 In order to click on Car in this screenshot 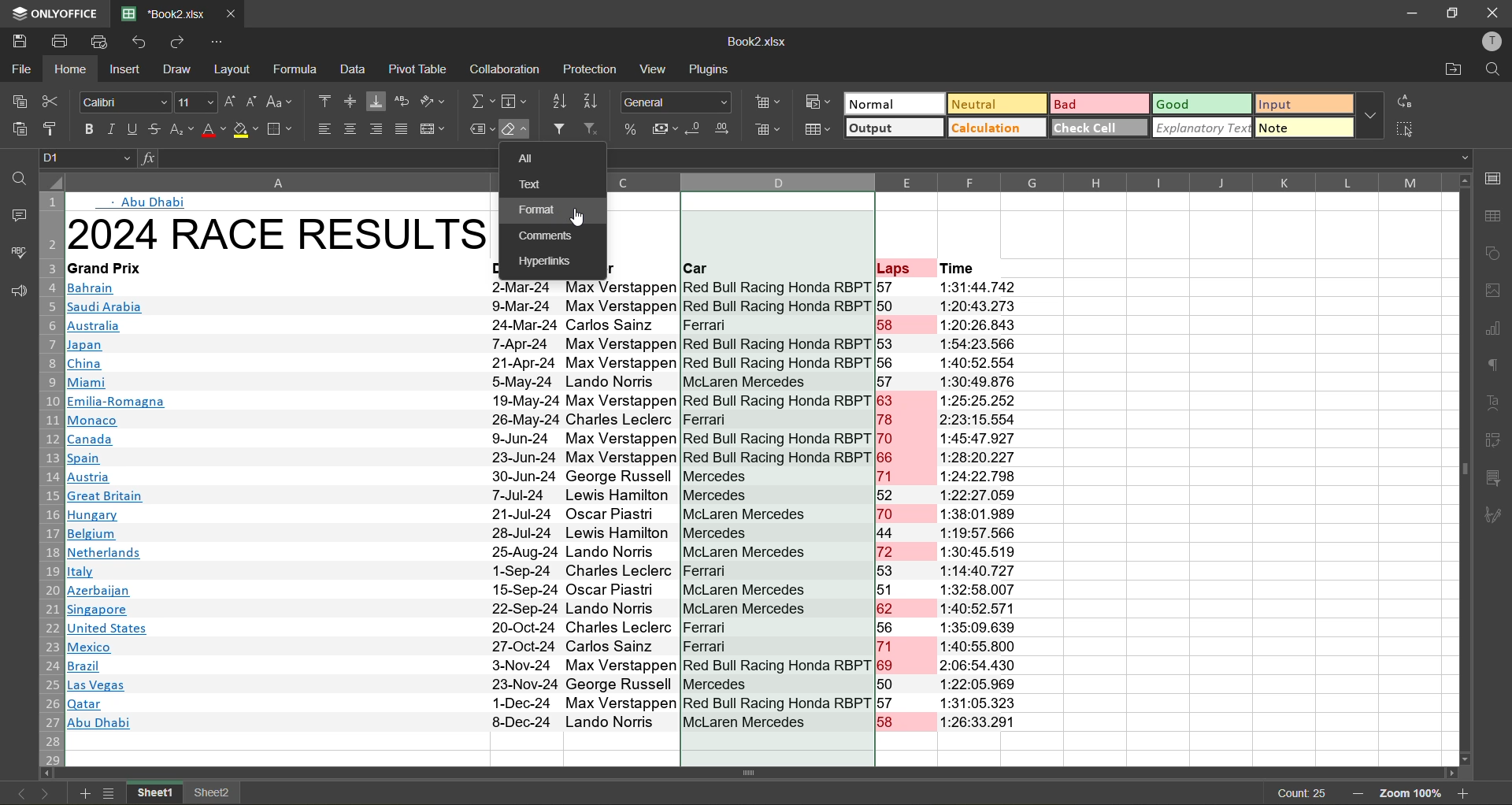, I will do `click(698, 269)`.